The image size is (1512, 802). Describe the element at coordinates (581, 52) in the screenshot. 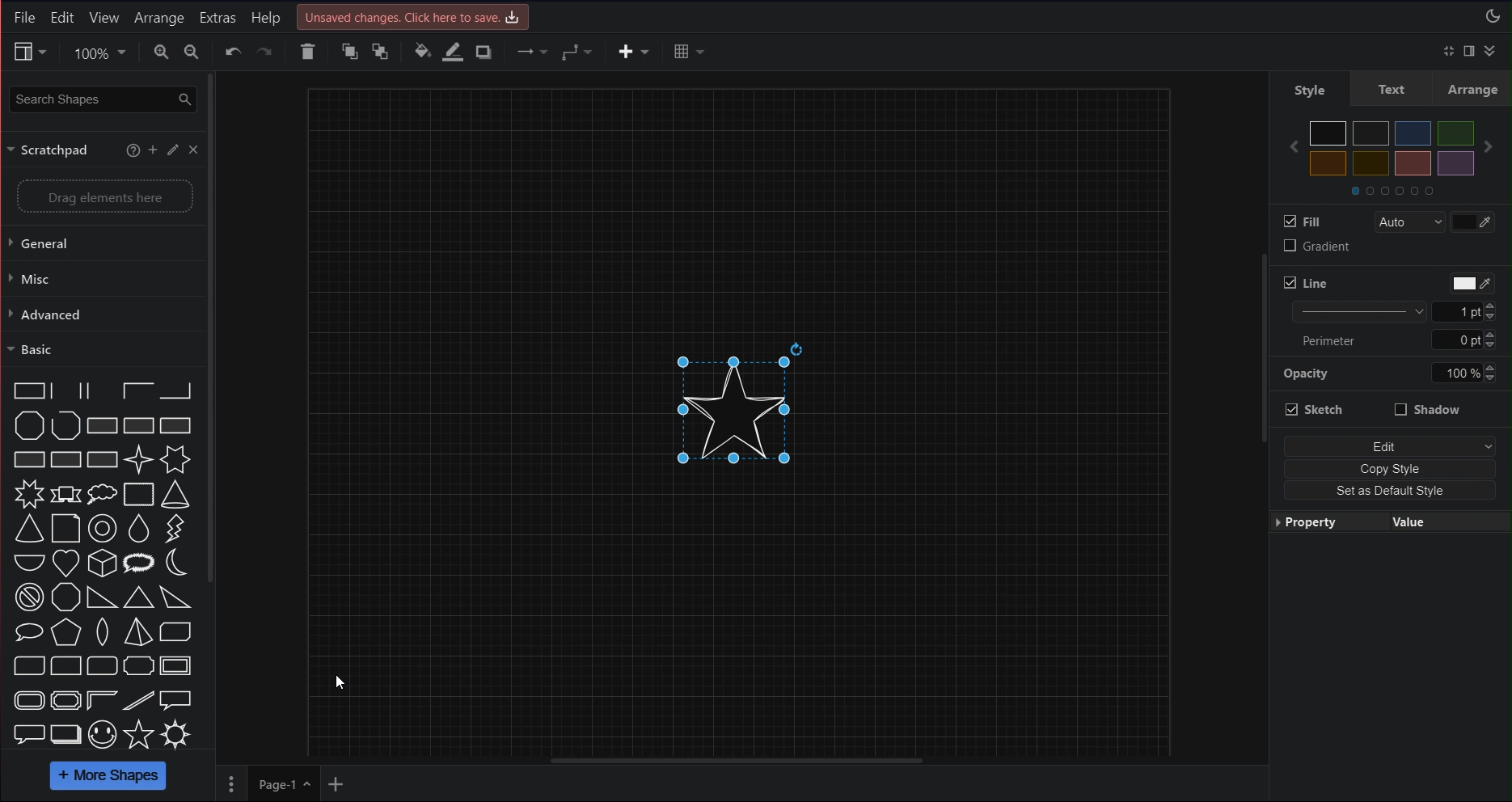

I see `Waypoint` at that location.